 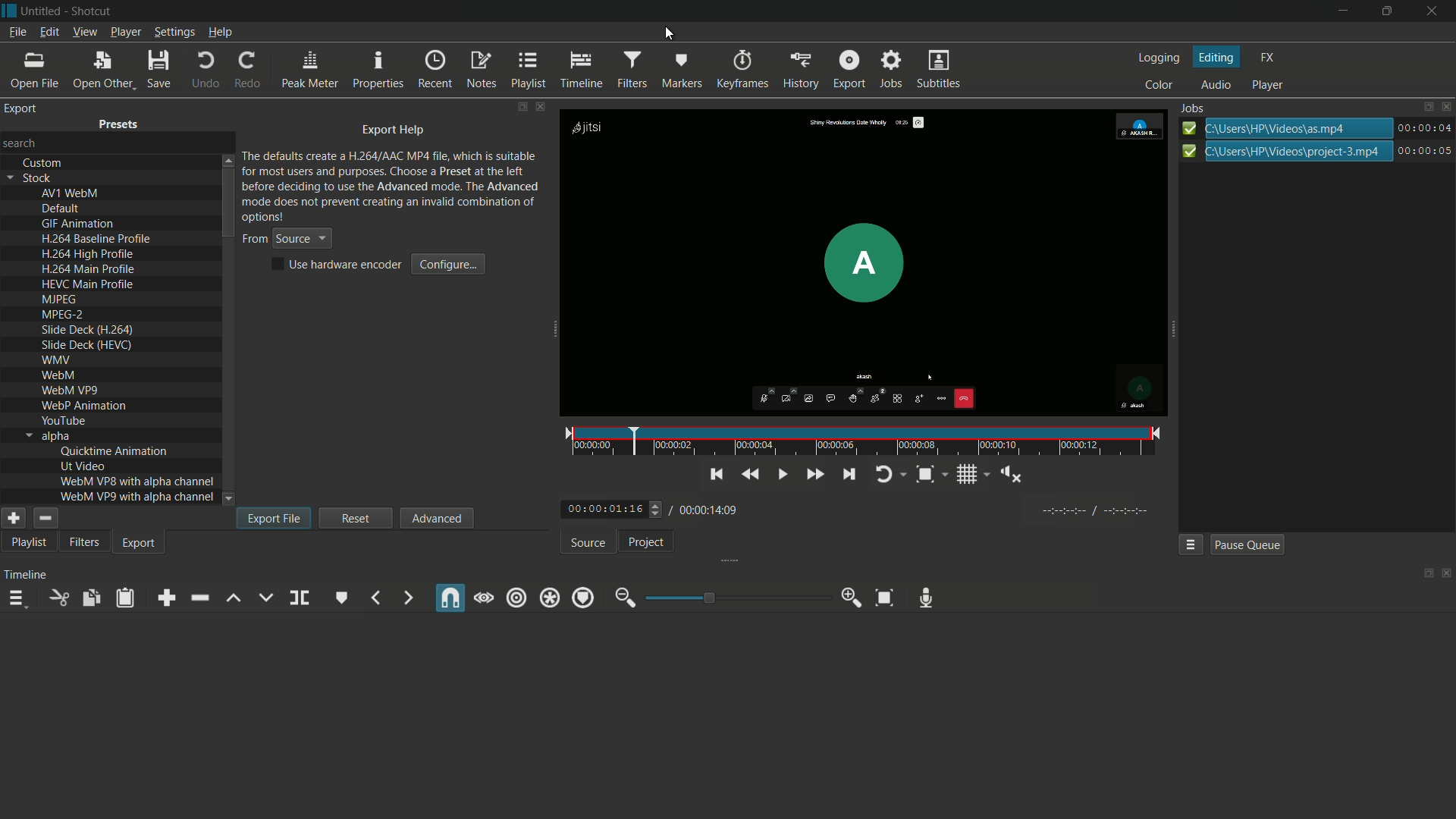 What do you see at coordinates (60, 598) in the screenshot?
I see `cut` at bounding box center [60, 598].